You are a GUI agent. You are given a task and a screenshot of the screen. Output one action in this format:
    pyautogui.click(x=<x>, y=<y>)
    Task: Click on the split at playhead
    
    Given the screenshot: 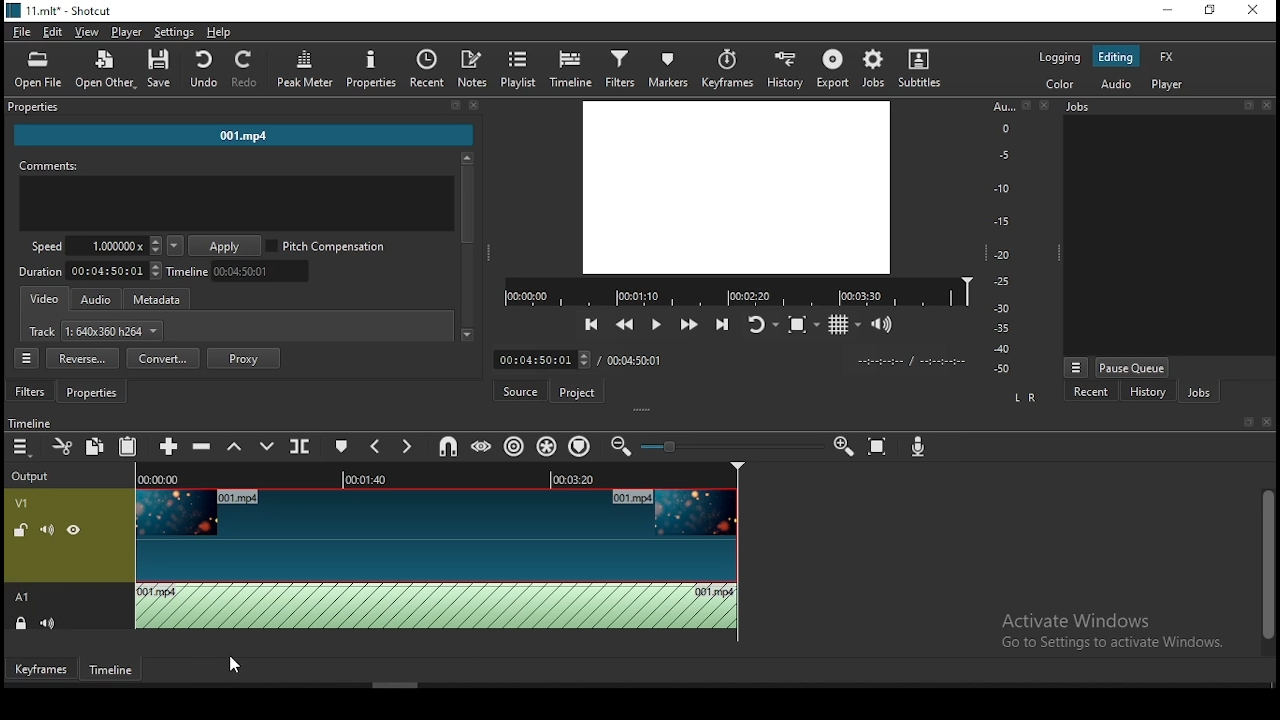 What is the action you would take?
    pyautogui.click(x=299, y=447)
    